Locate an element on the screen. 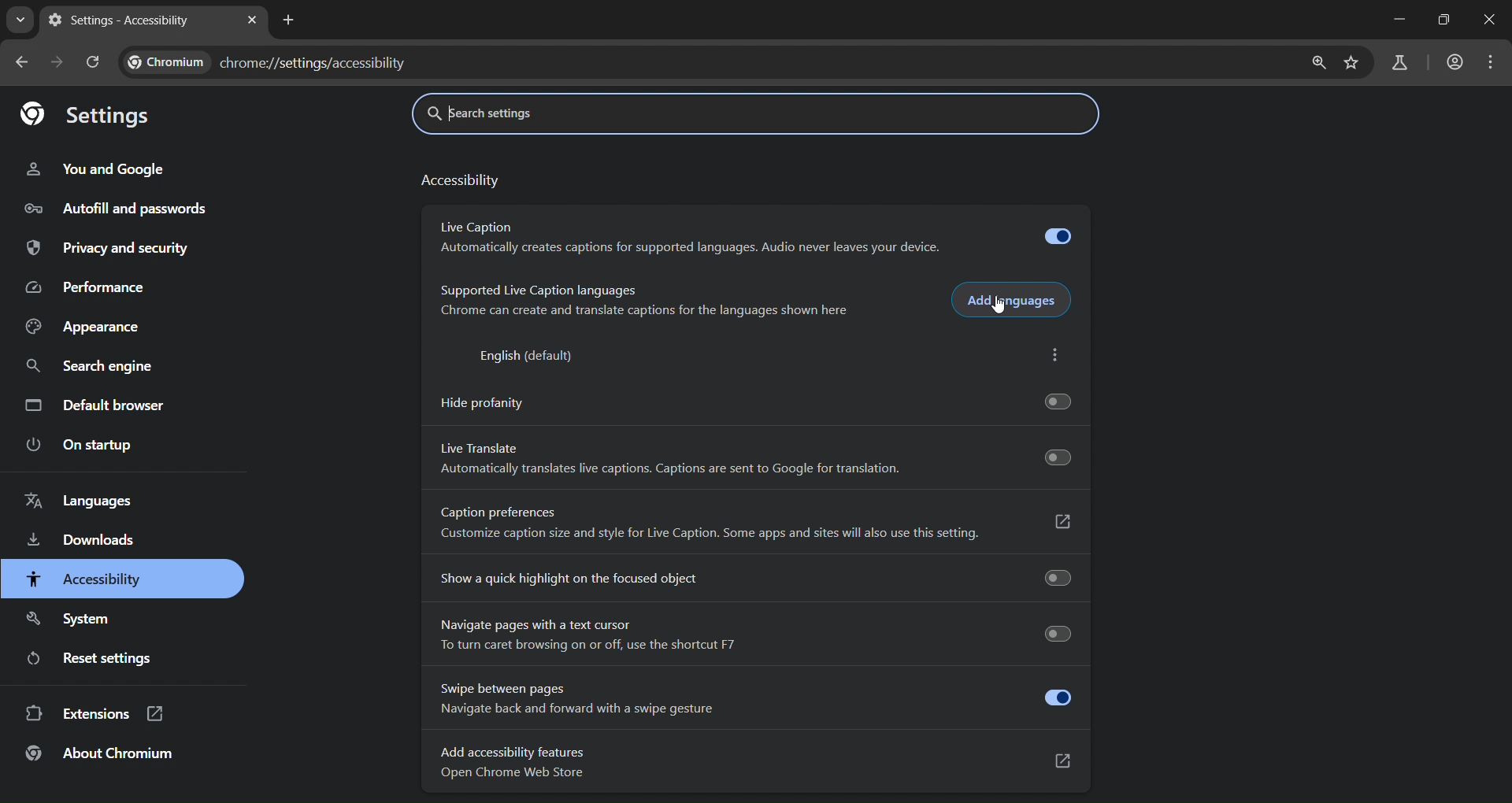  settings - accessibility is located at coordinates (122, 22).